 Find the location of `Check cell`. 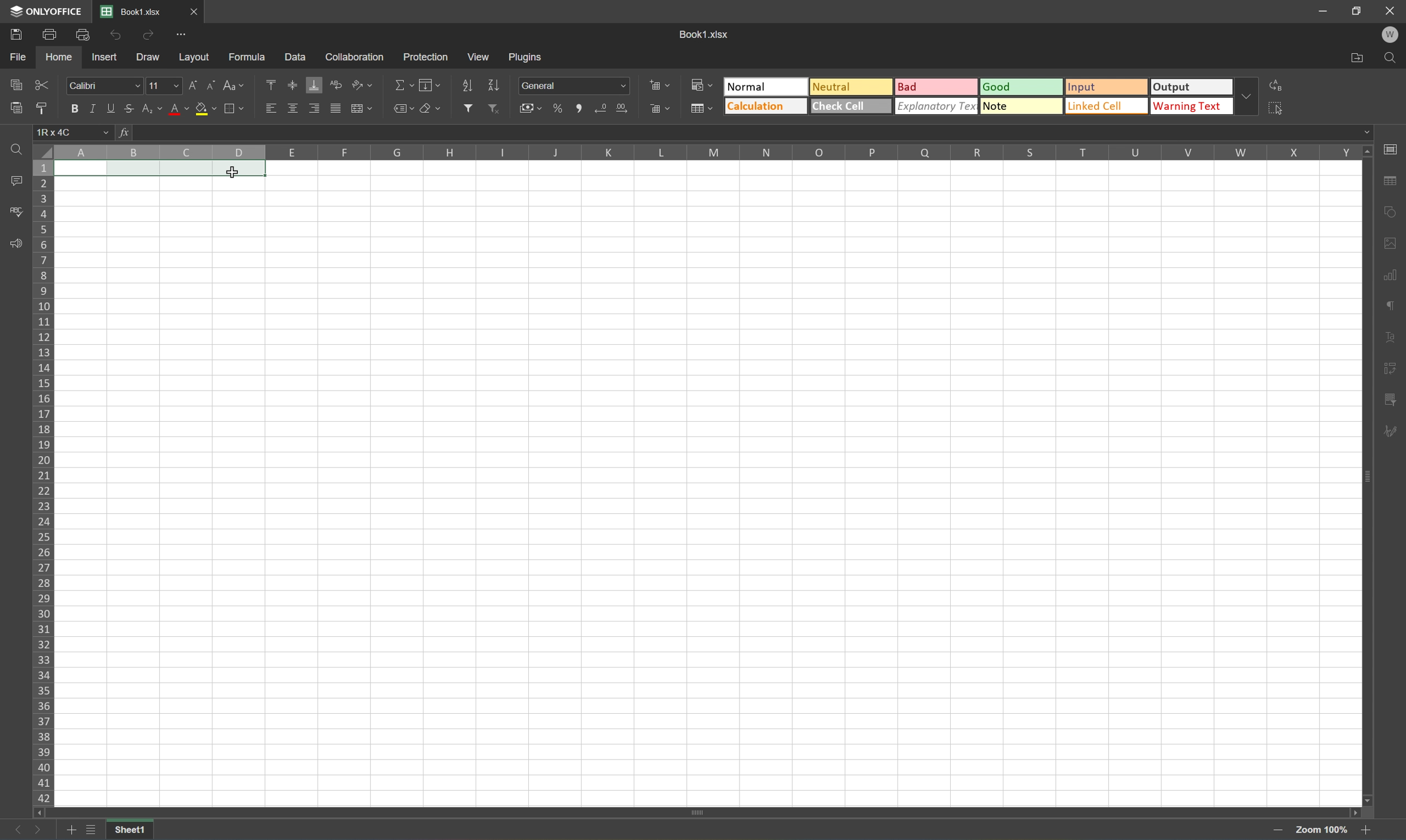

Check cell is located at coordinates (850, 106).